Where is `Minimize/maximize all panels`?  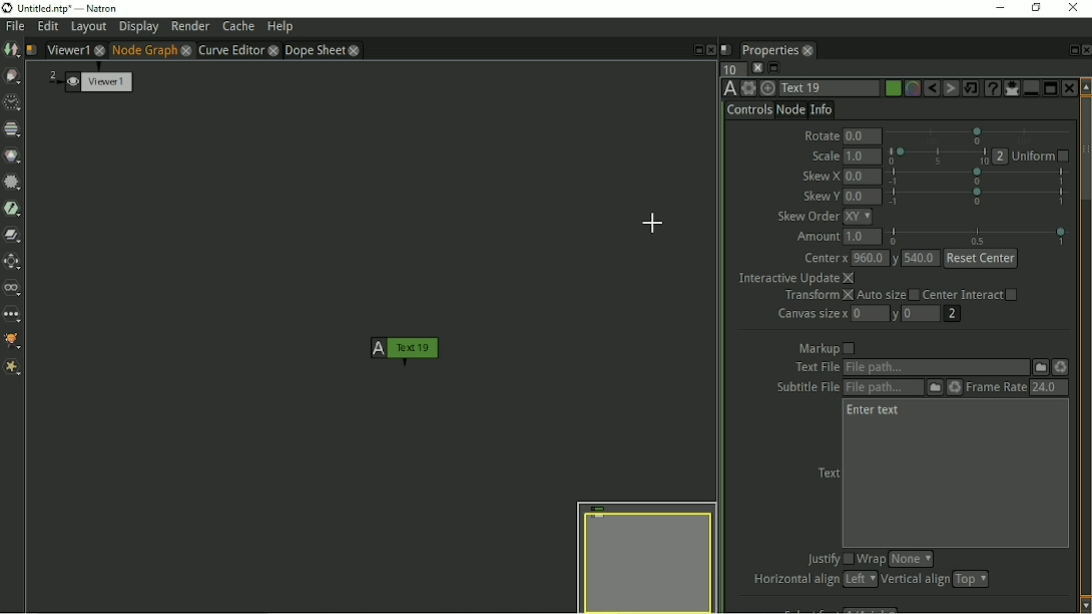 Minimize/maximize all panels is located at coordinates (774, 68).